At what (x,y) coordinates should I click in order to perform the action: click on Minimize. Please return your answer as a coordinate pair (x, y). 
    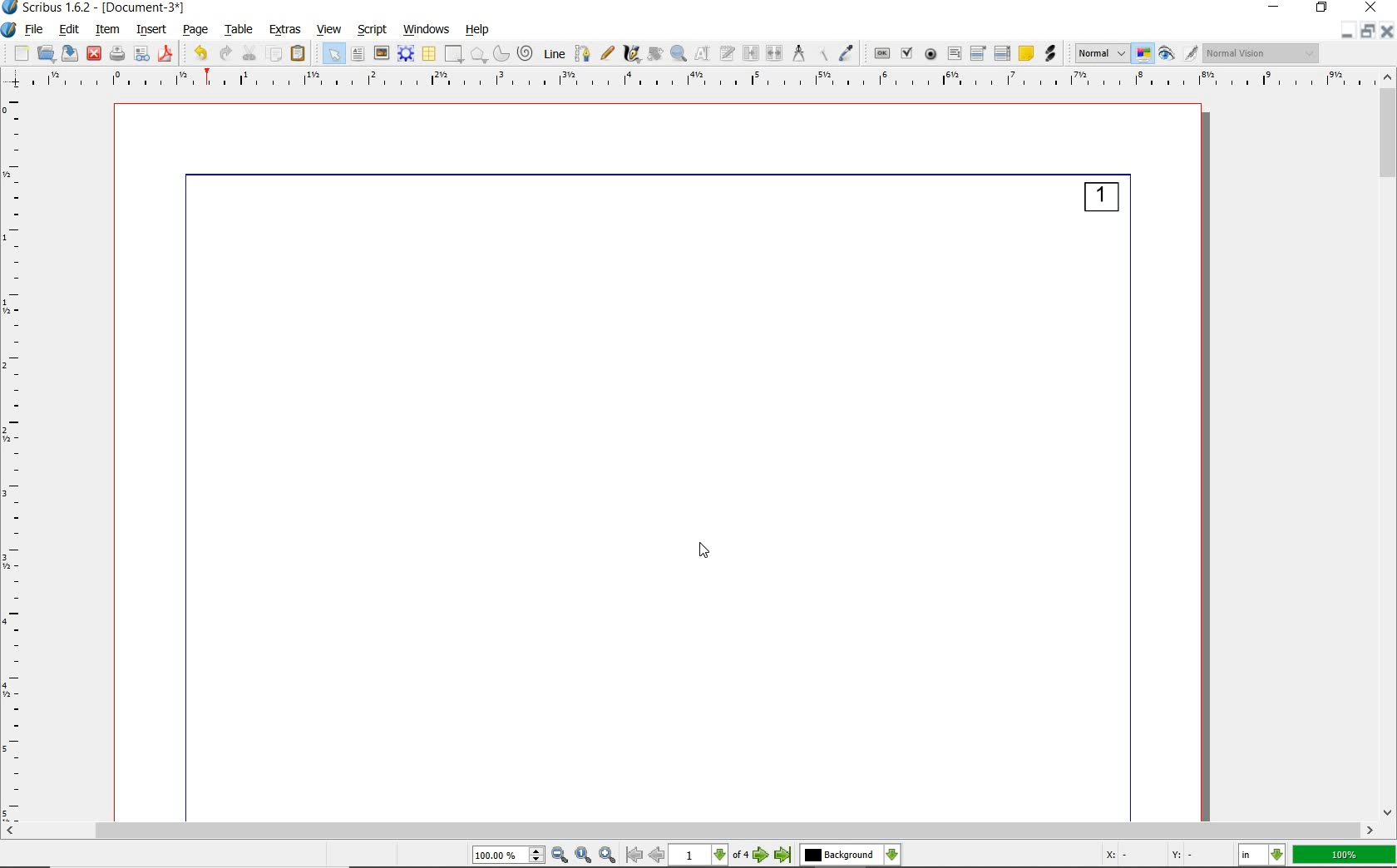
    Looking at the image, I should click on (1367, 33).